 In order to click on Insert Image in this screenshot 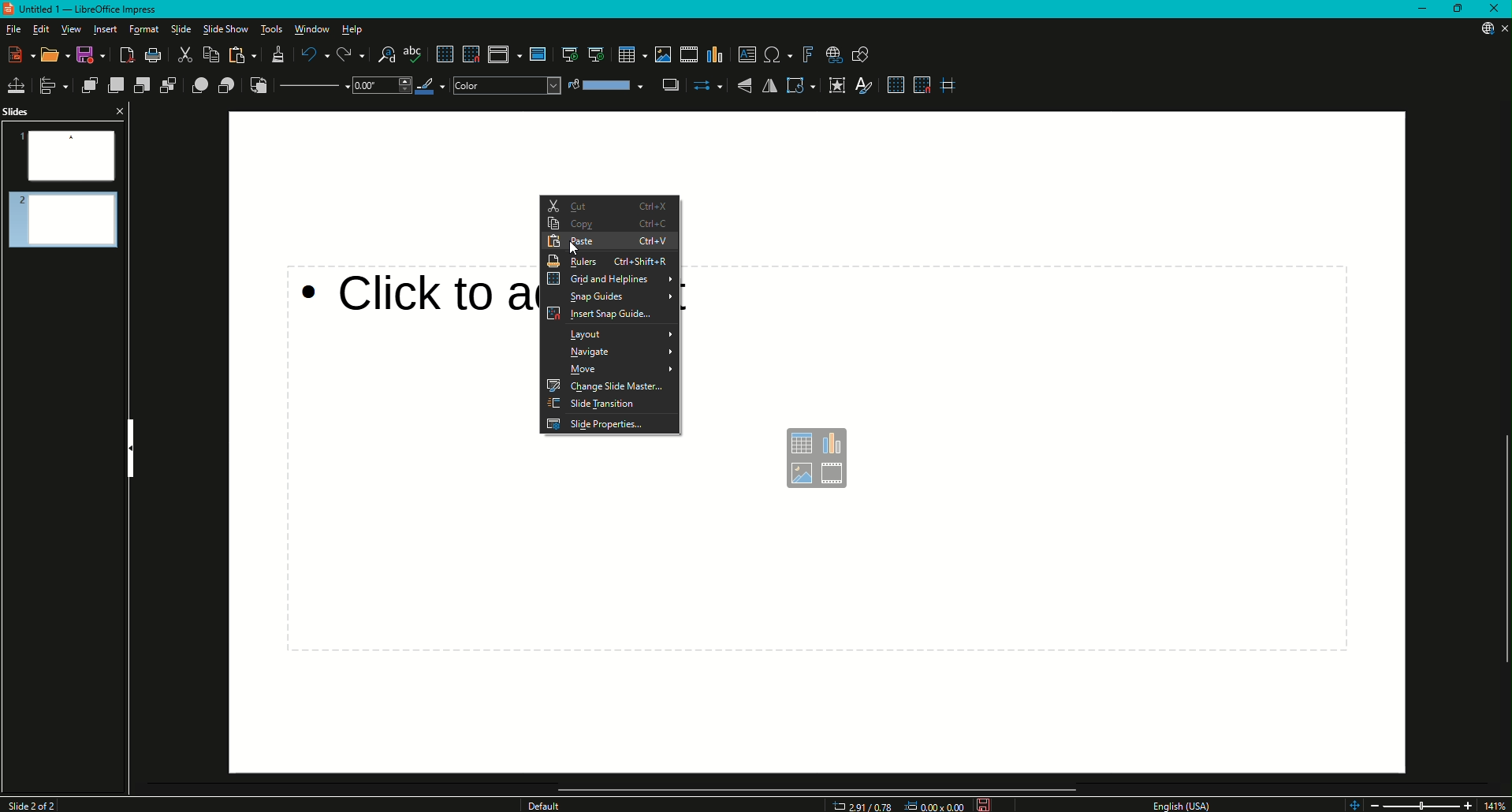, I will do `click(660, 53)`.